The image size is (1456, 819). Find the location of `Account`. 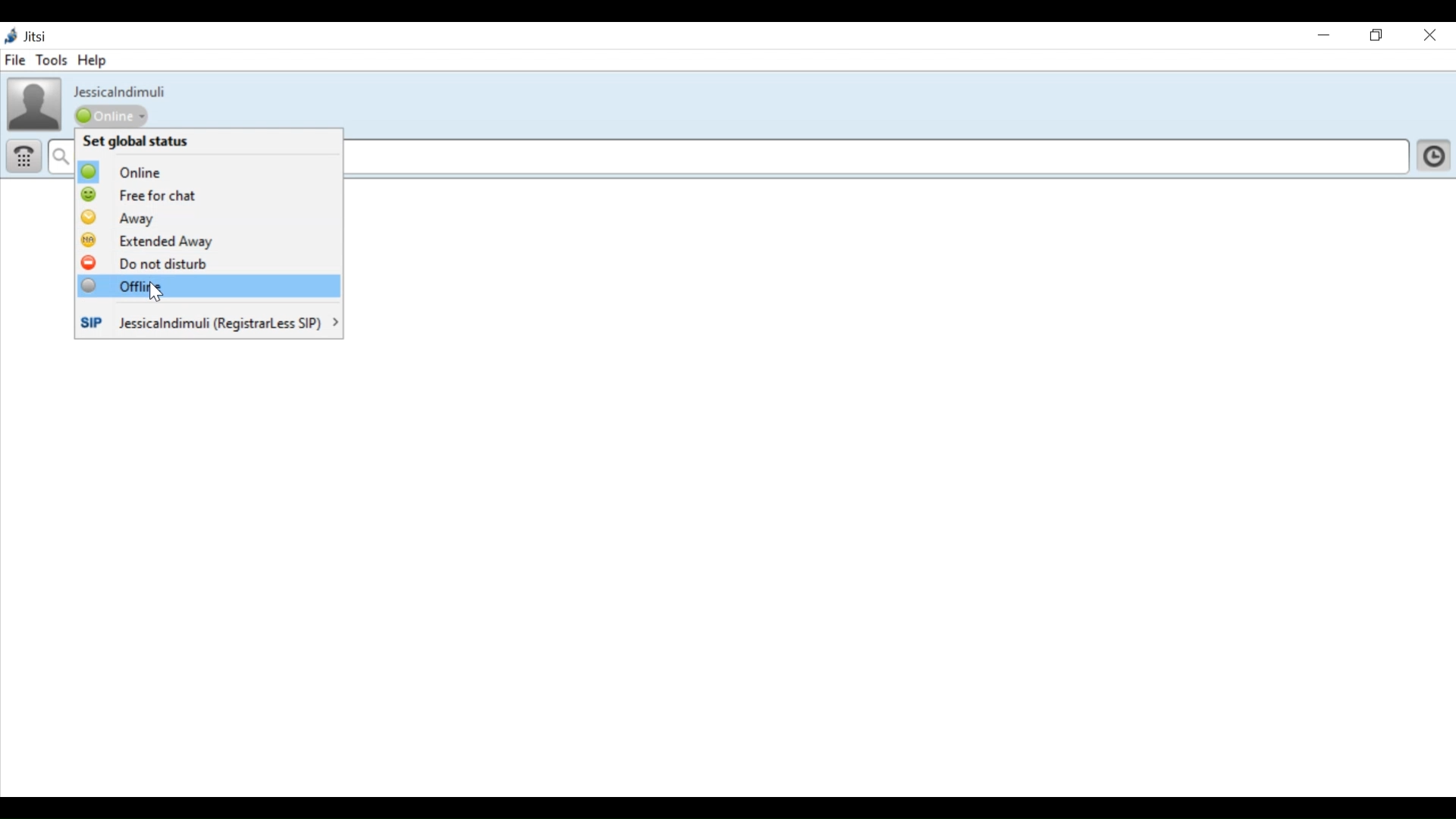

Account is located at coordinates (209, 322).